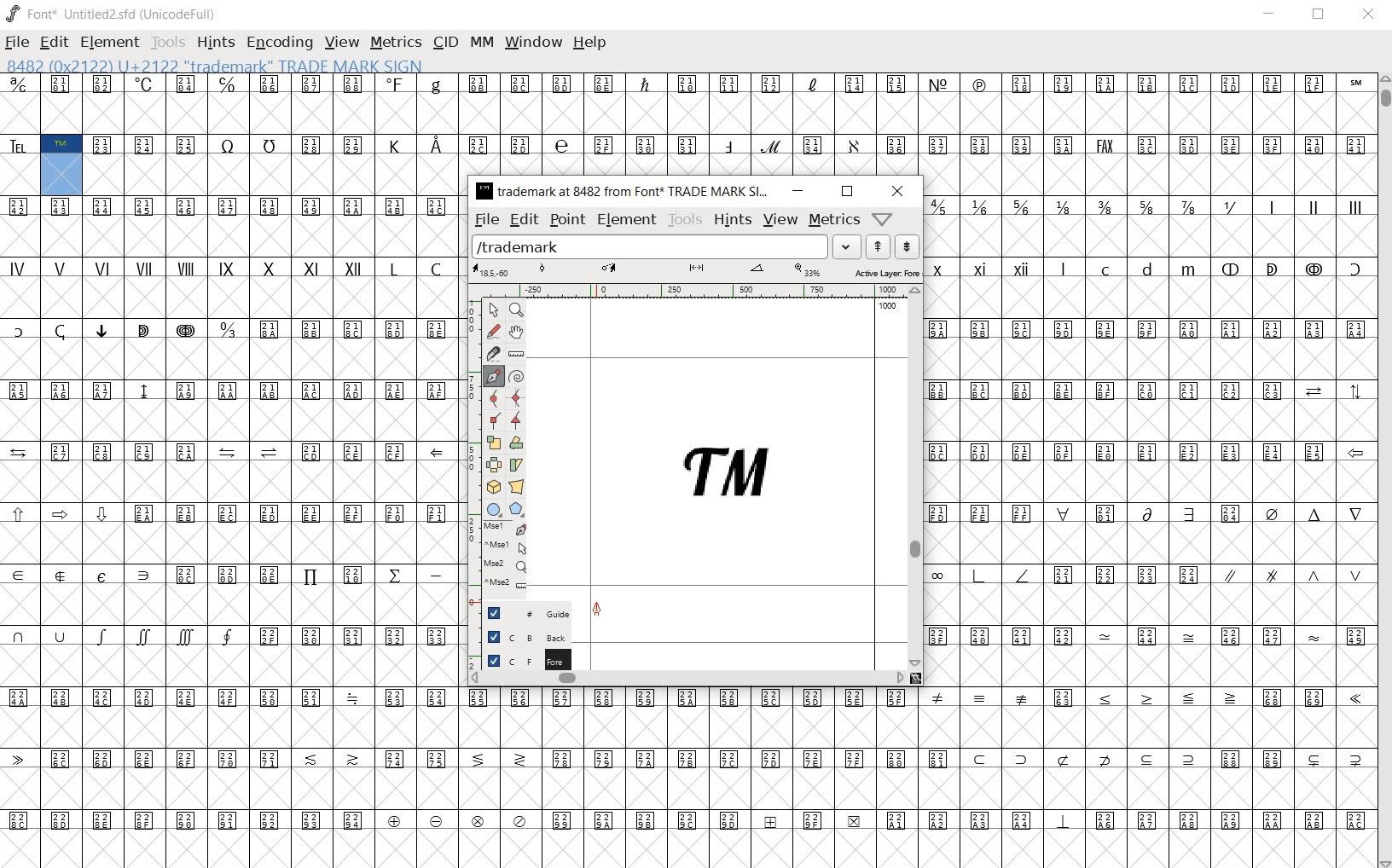 The width and height of the screenshot is (1392, 868). I want to click on pointer, so click(494, 310).